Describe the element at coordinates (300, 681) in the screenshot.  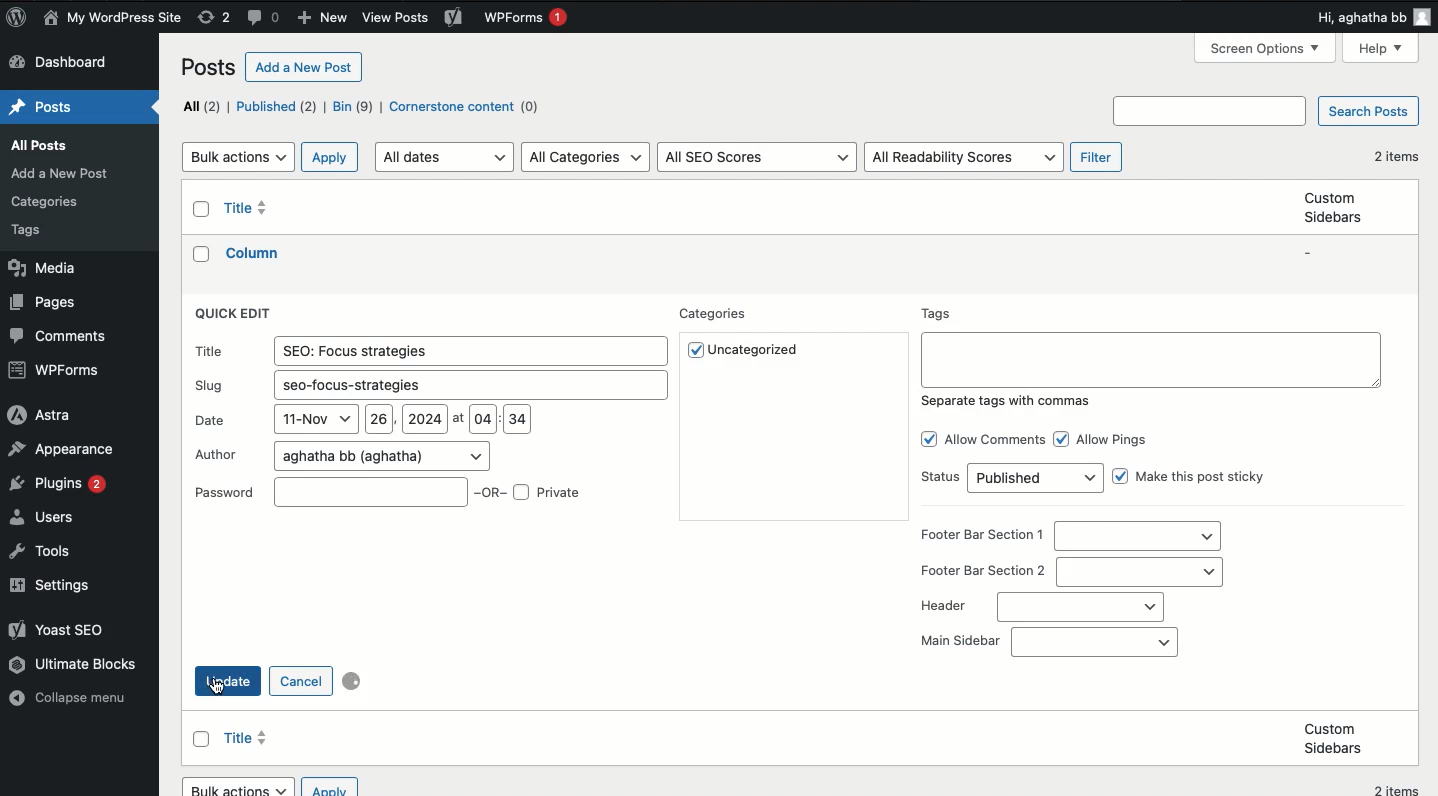
I see `Cancel` at that location.